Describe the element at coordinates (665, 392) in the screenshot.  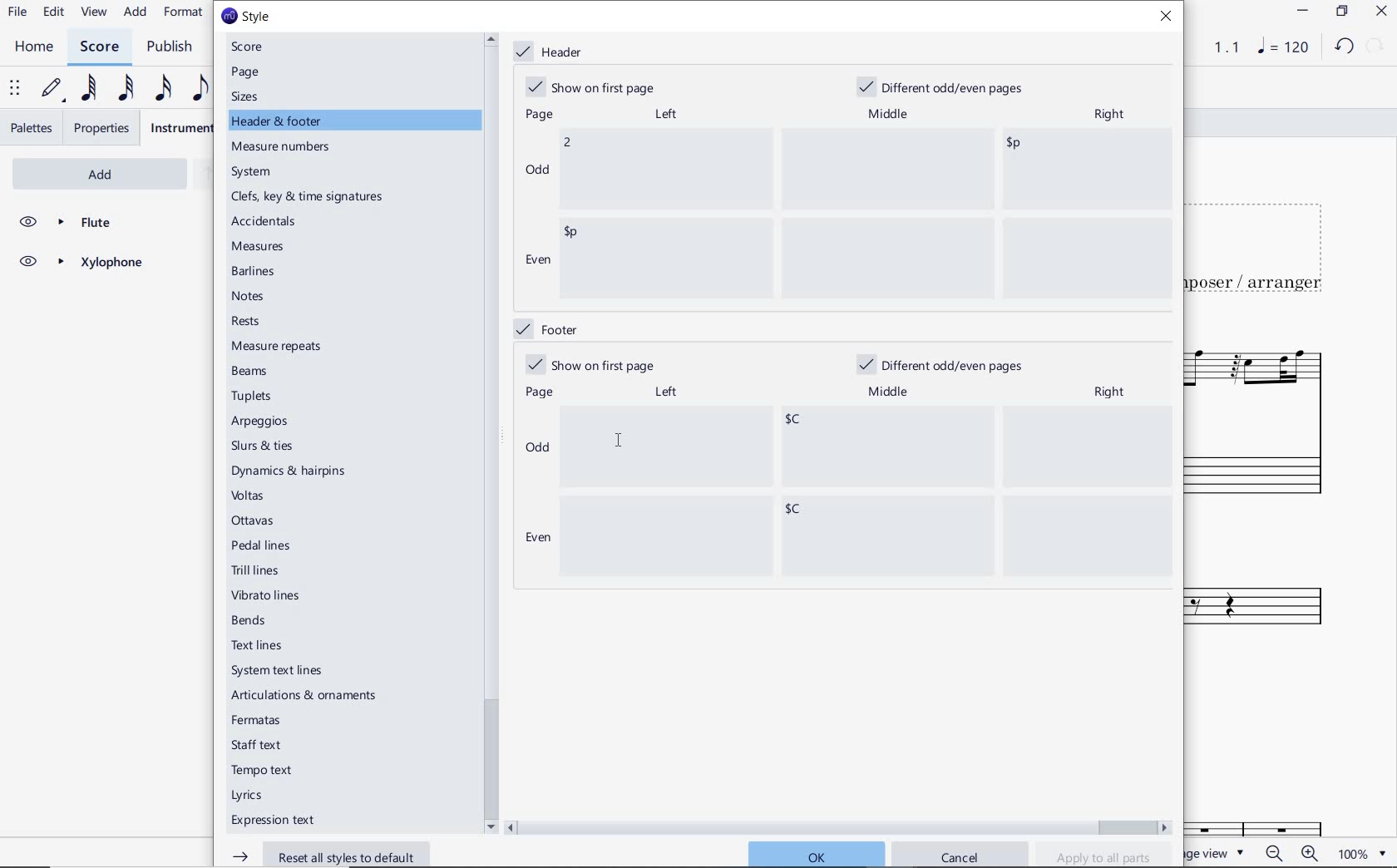
I see `left` at that location.